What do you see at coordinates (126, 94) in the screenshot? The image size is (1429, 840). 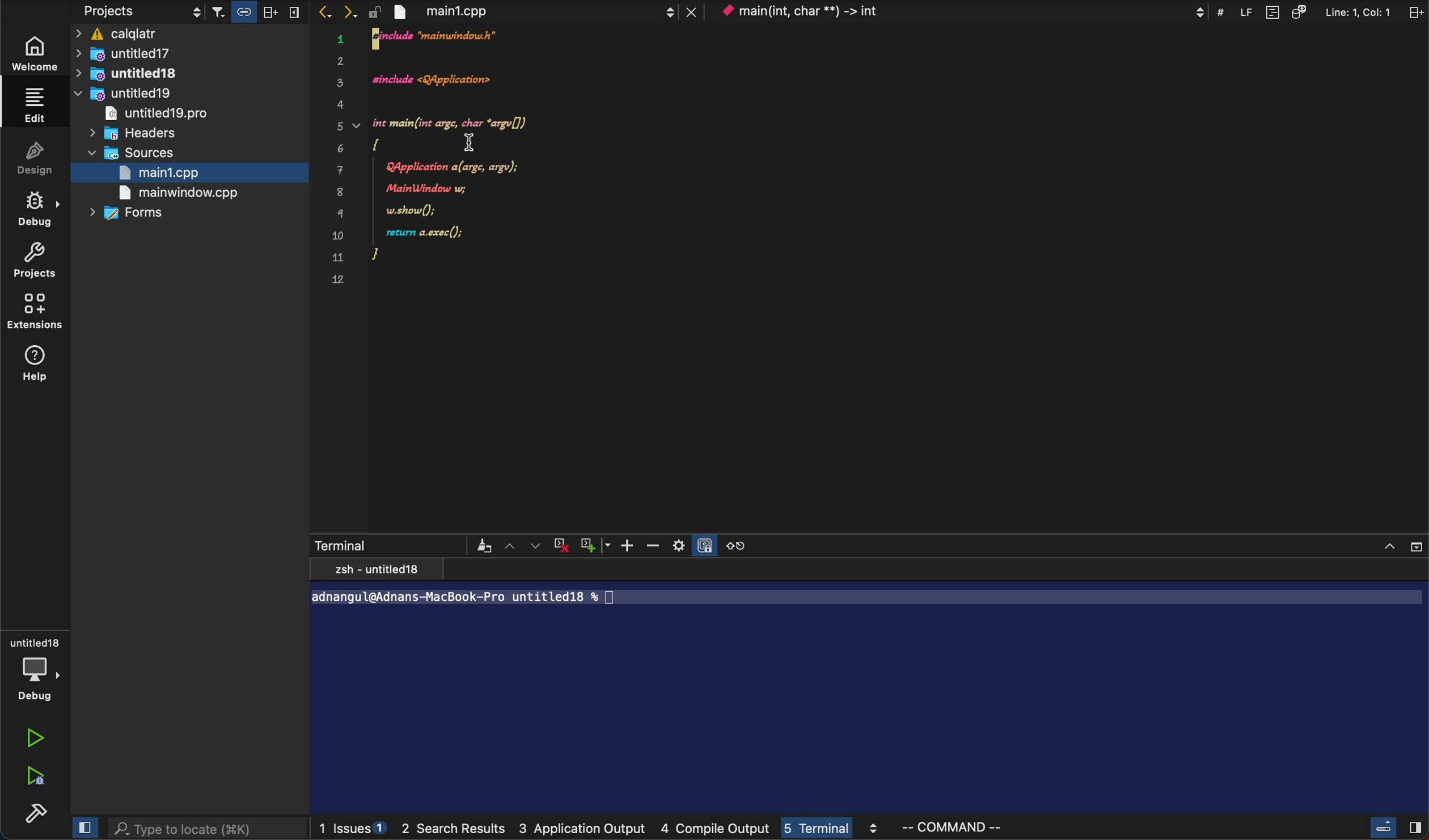 I see `untitled19` at bounding box center [126, 94].